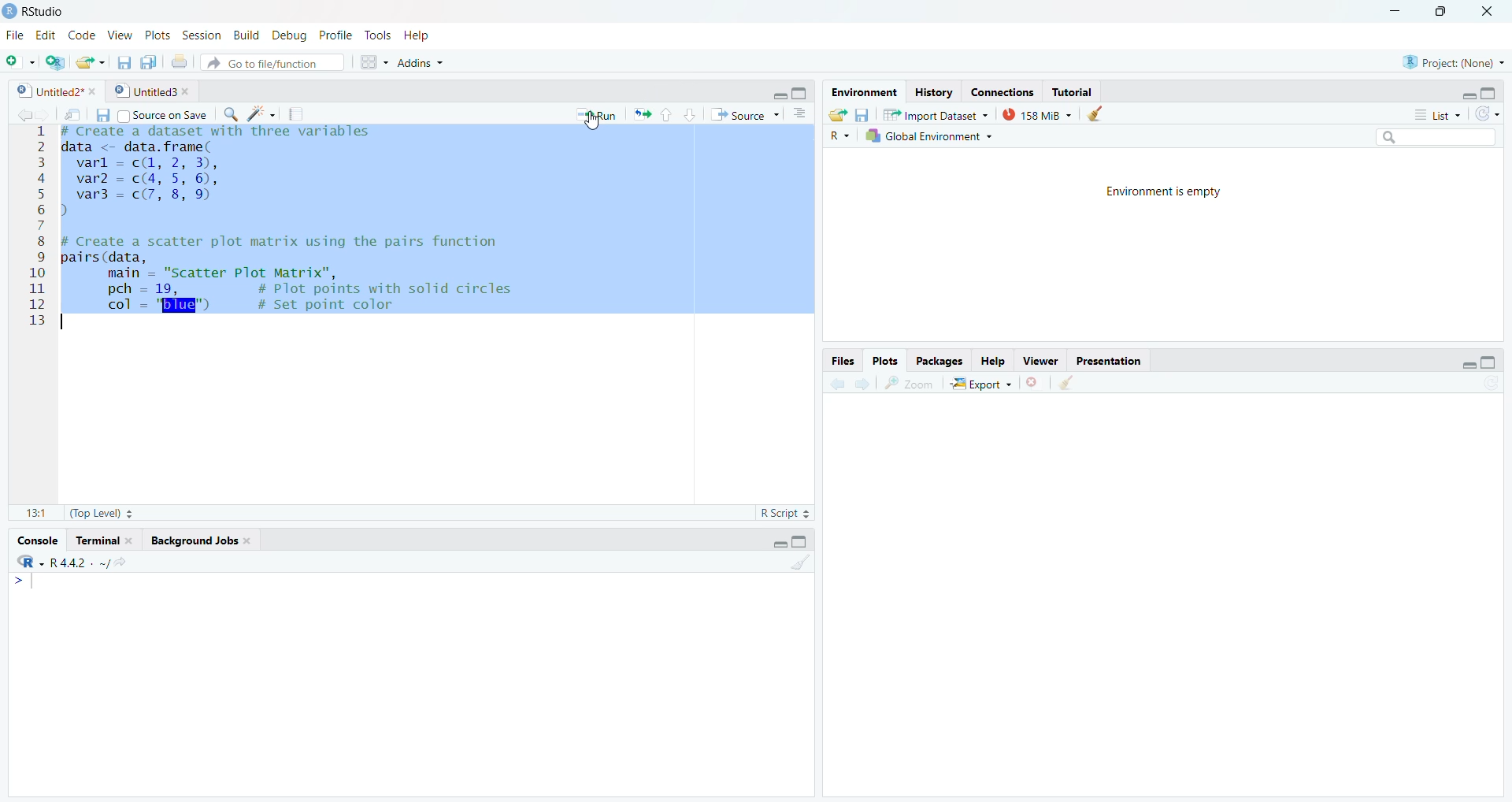 The image size is (1512, 802). I want to click on Profile, so click(337, 35).